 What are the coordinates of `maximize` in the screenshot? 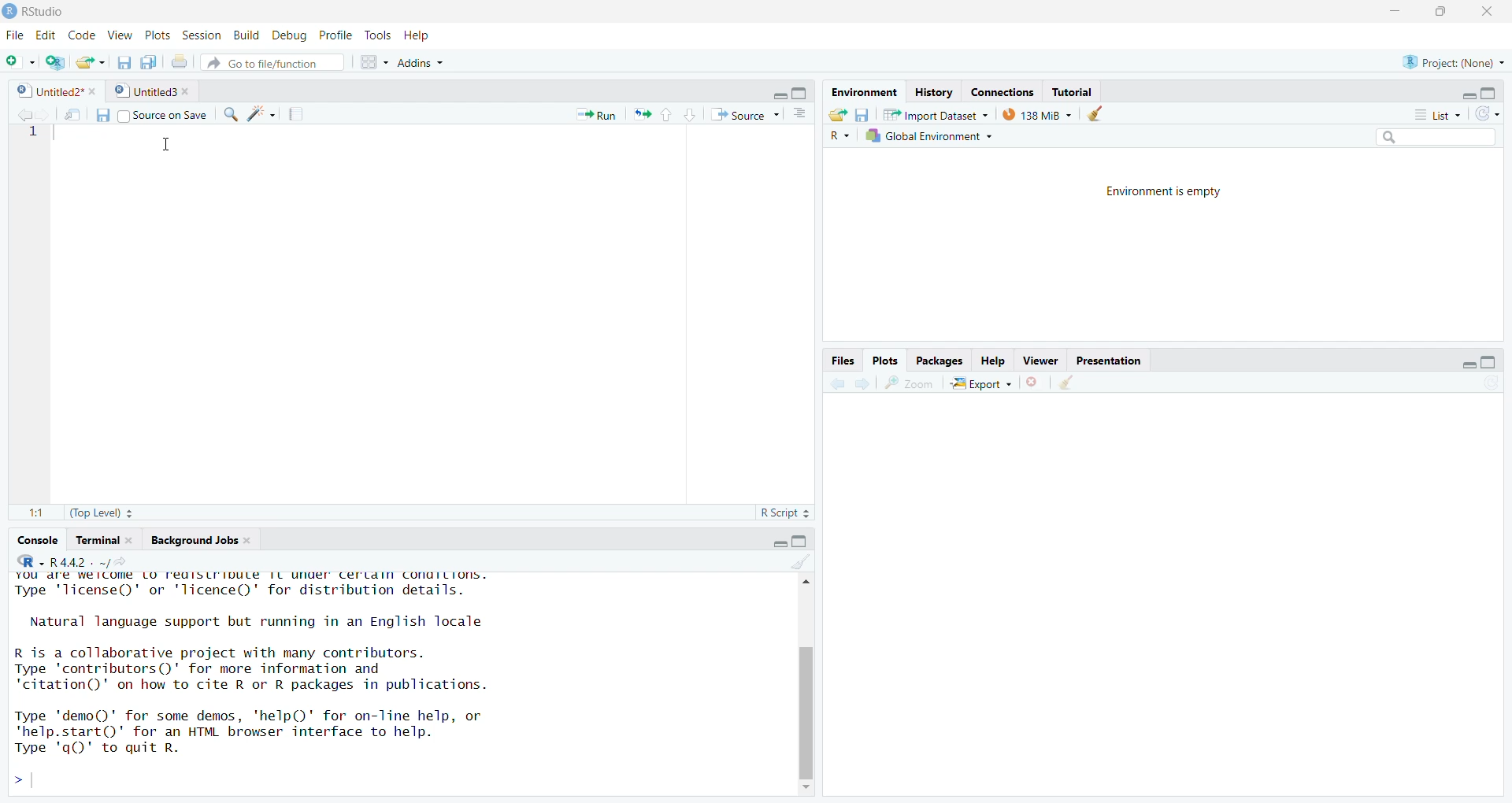 It's located at (1444, 16).